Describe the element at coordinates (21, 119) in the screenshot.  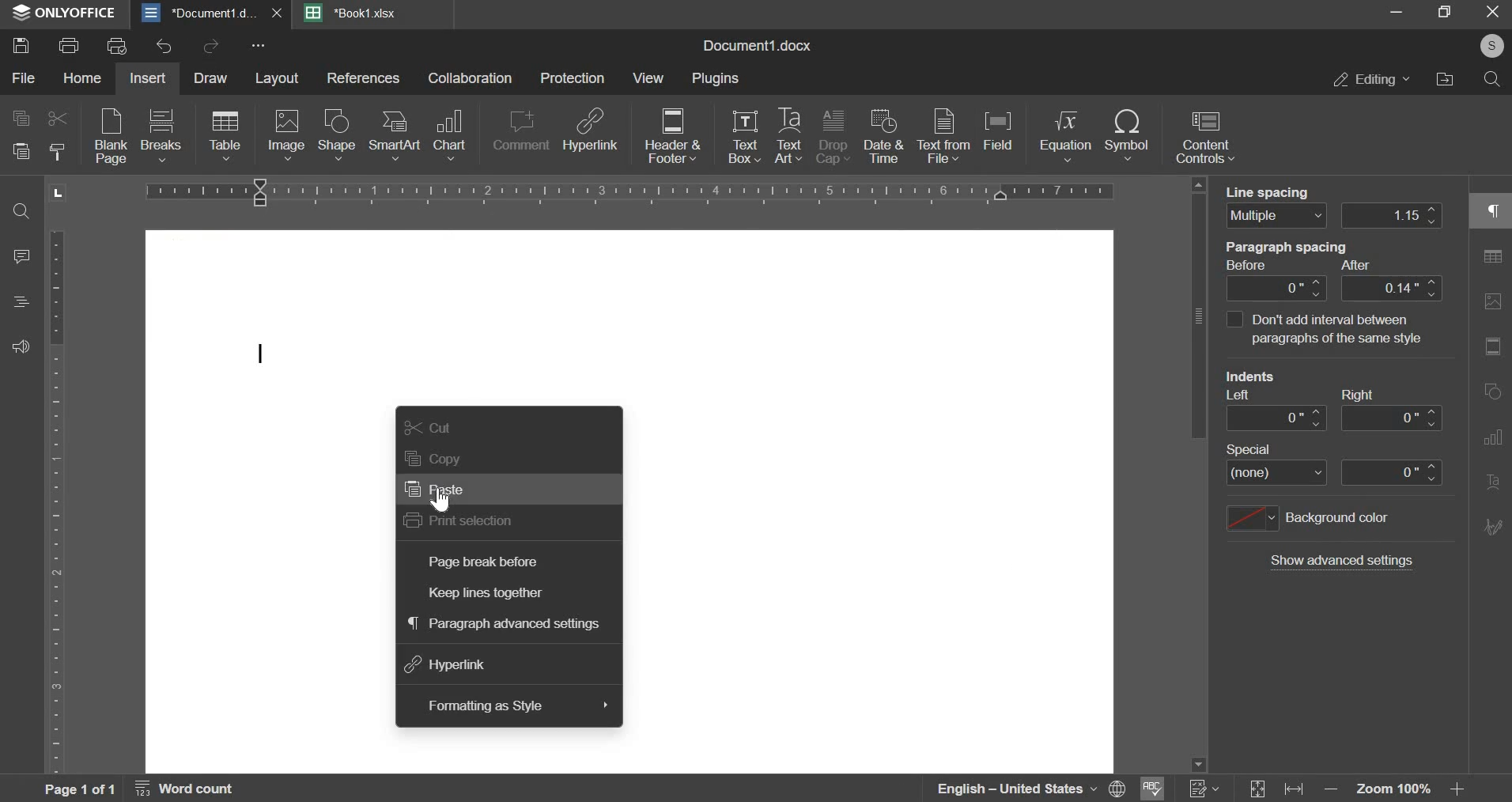
I see `copy` at that location.